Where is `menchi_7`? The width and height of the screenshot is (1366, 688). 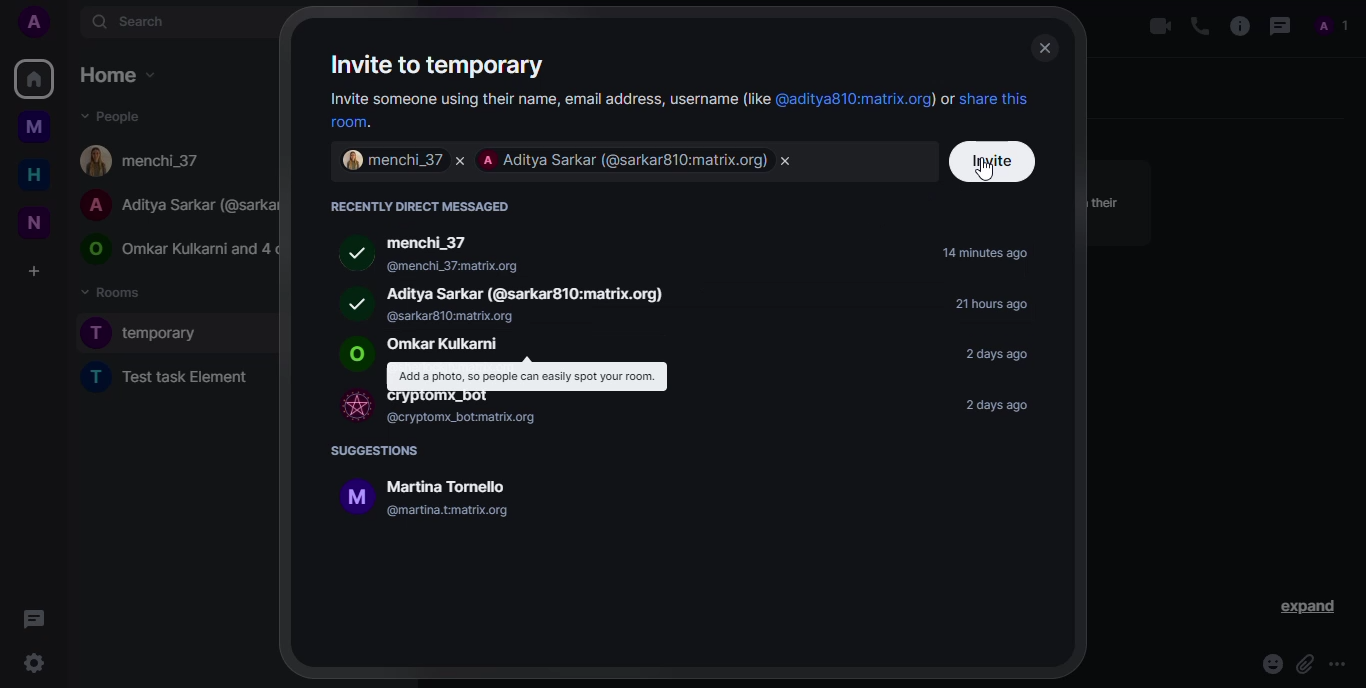 menchi_7 is located at coordinates (388, 161).